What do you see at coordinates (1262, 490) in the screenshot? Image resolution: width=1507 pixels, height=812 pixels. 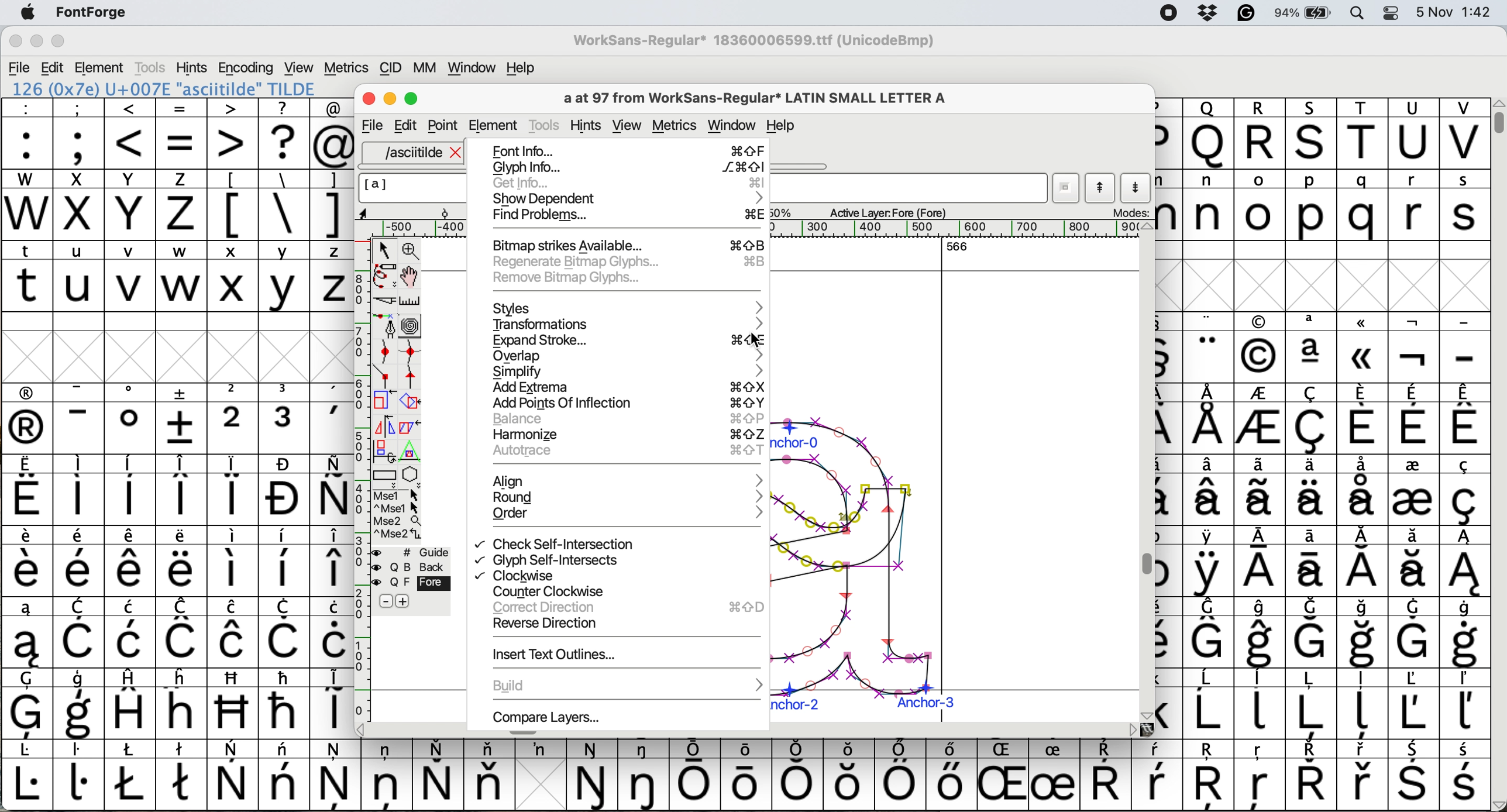 I see `symbol` at bounding box center [1262, 490].